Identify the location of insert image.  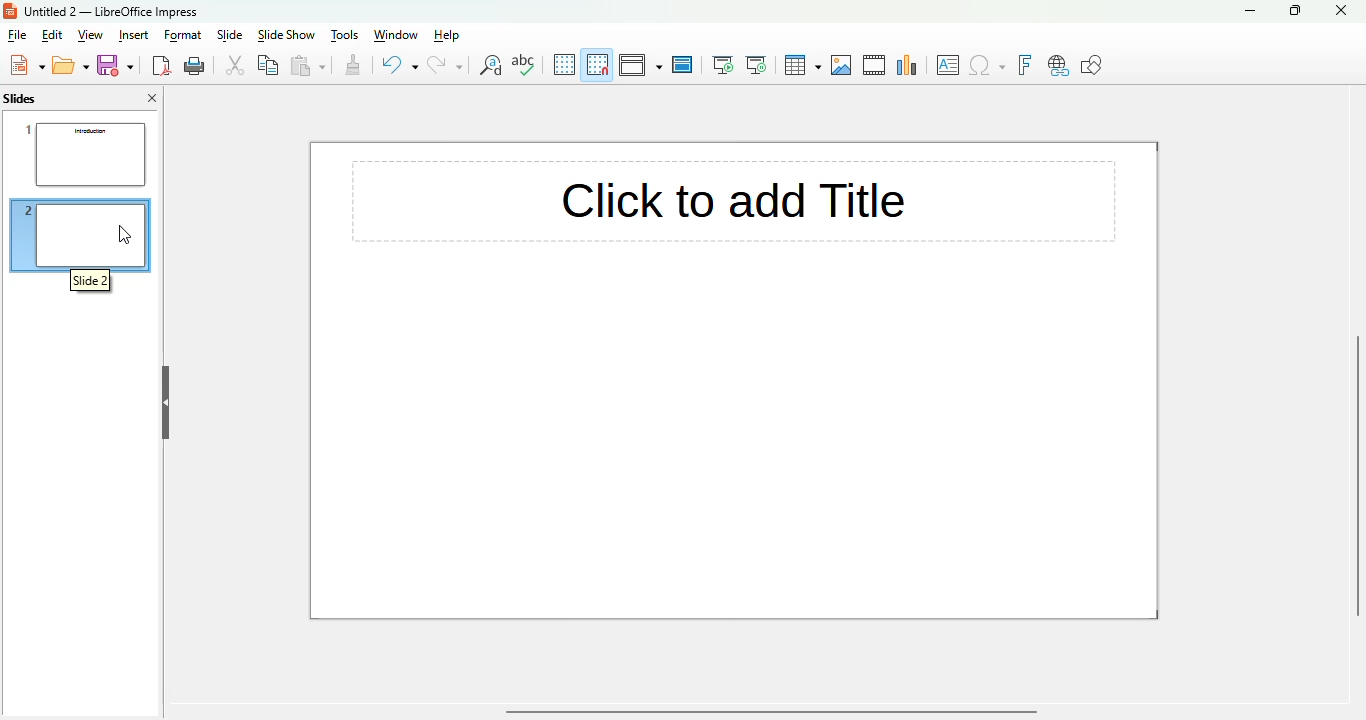
(843, 65).